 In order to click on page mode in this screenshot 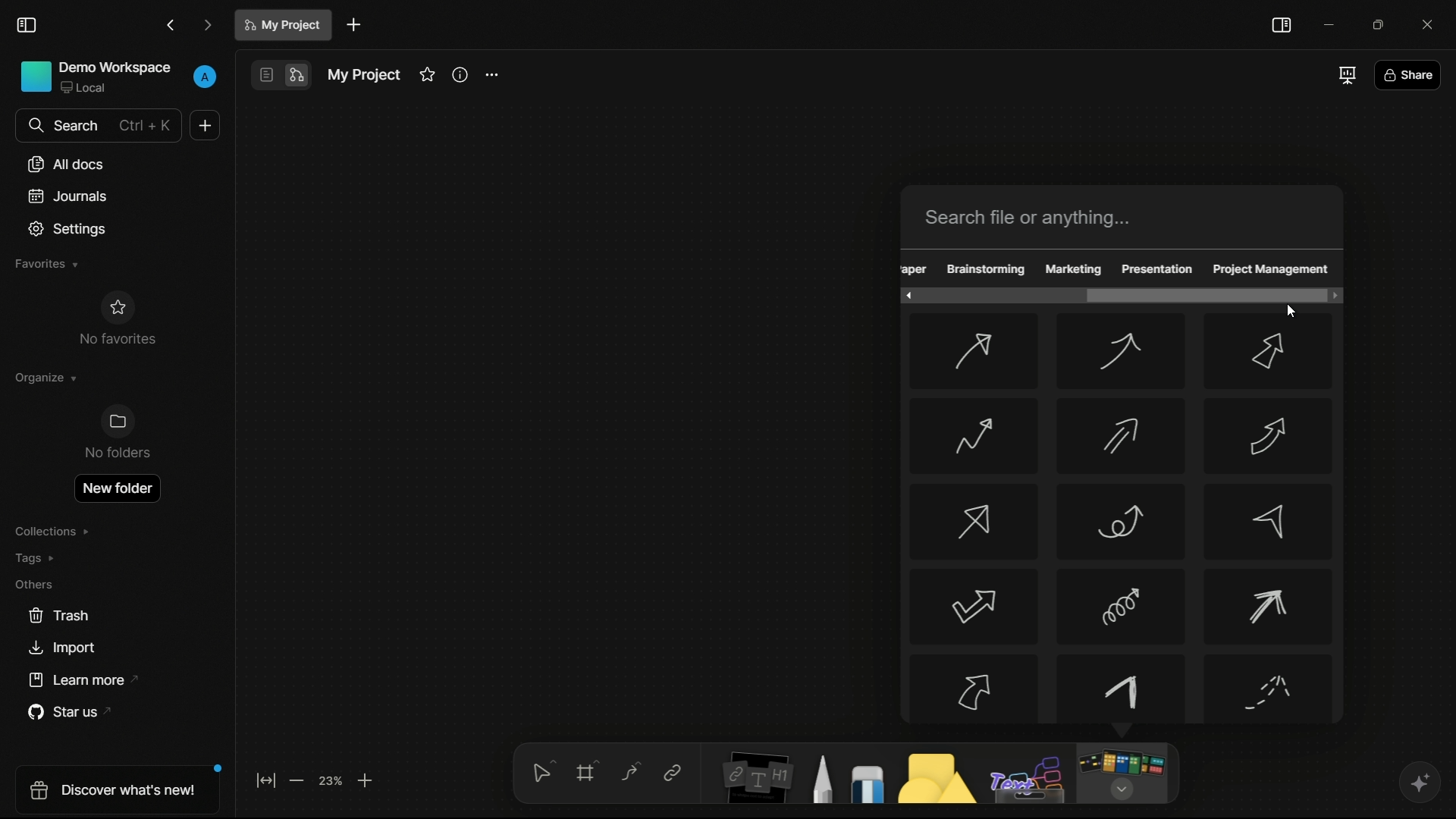, I will do `click(265, 75)`.